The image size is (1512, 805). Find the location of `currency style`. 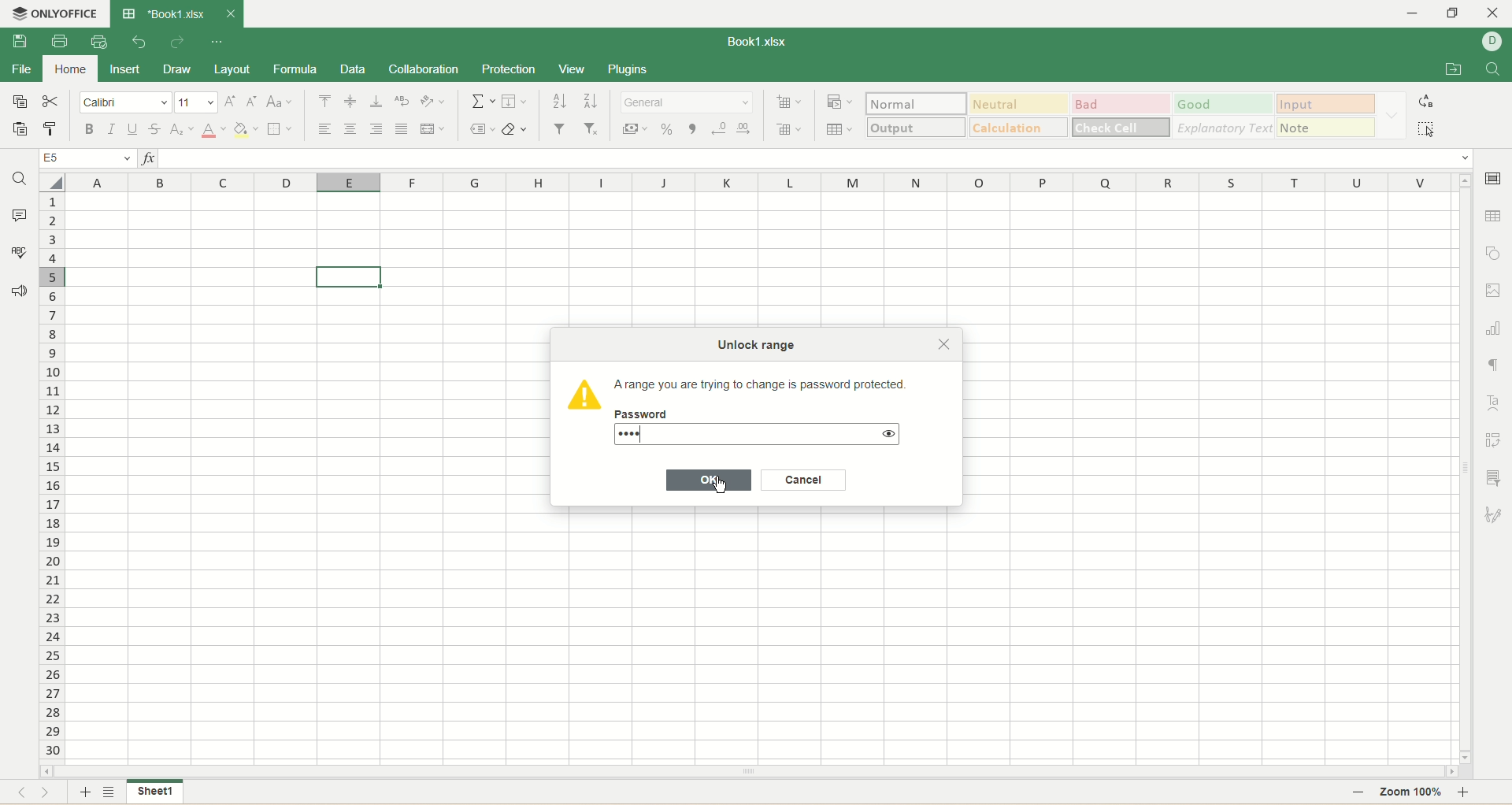

currency style is located at coordinates (638, 131).